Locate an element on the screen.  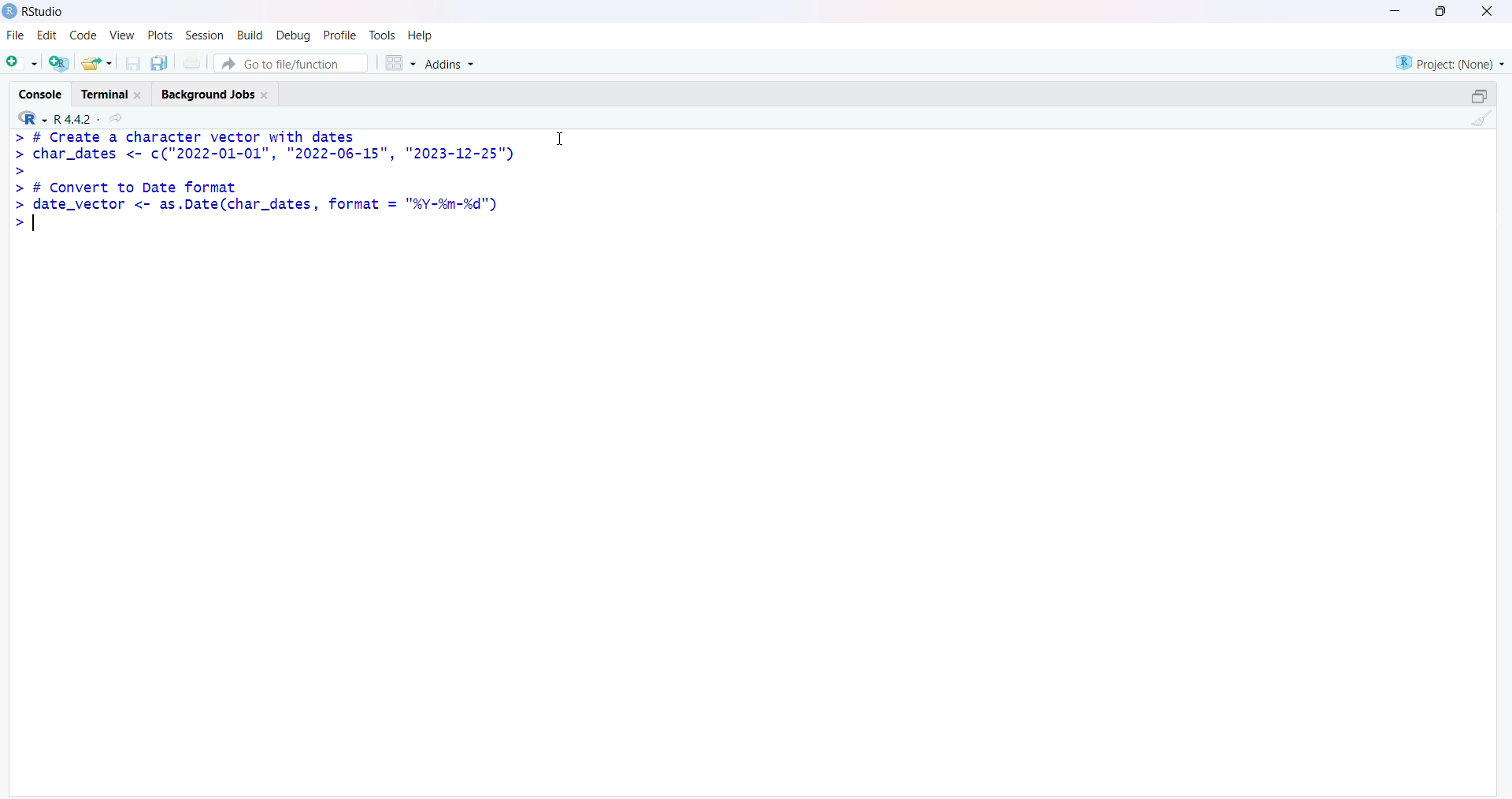
Terminal is located at coordinates (113, 91).